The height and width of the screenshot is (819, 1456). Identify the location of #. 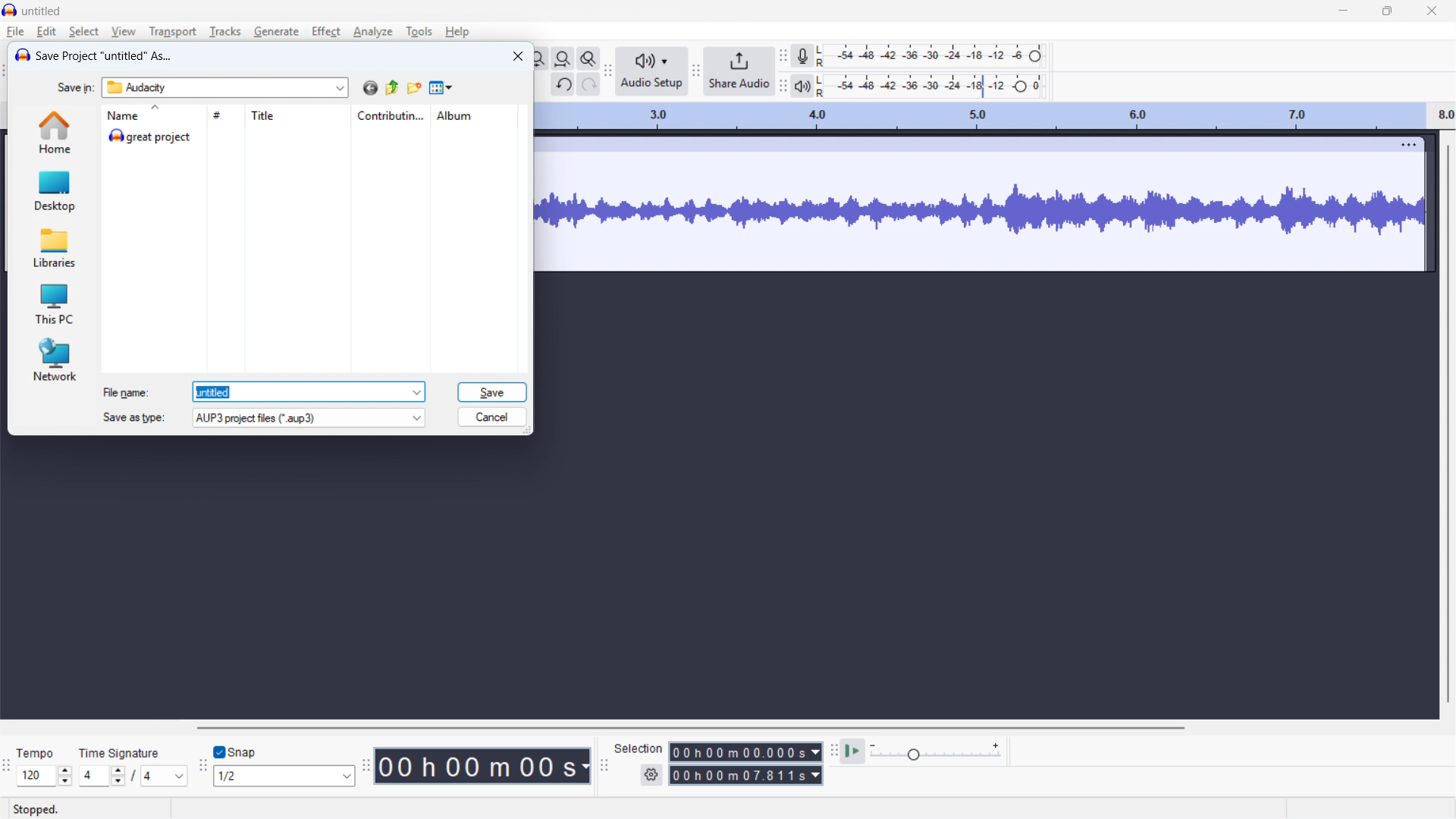
(224, 115).